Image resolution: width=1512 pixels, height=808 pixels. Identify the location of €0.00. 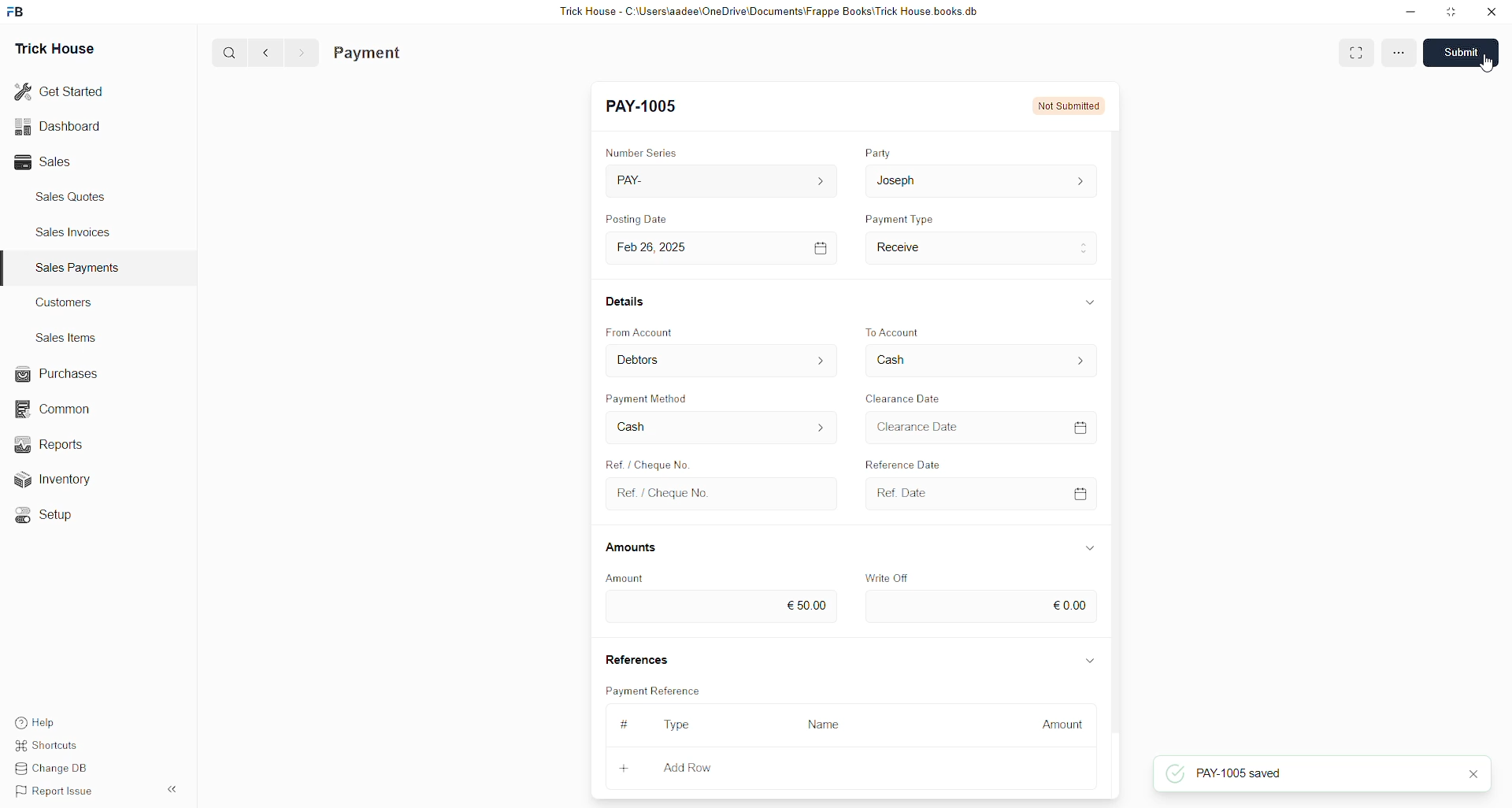
(982, 606).